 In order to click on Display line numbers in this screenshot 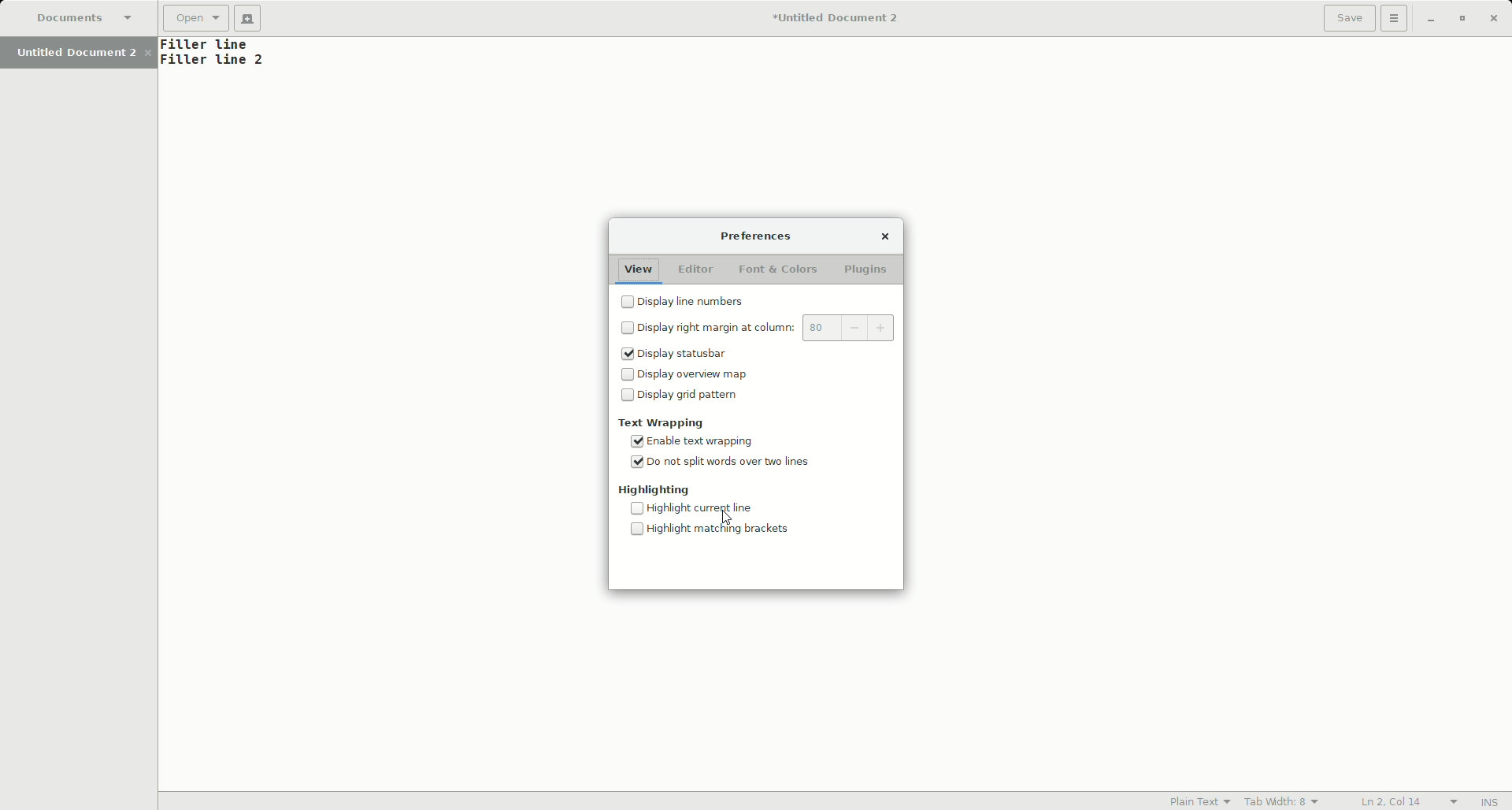, I will do `click(690, 303)`.